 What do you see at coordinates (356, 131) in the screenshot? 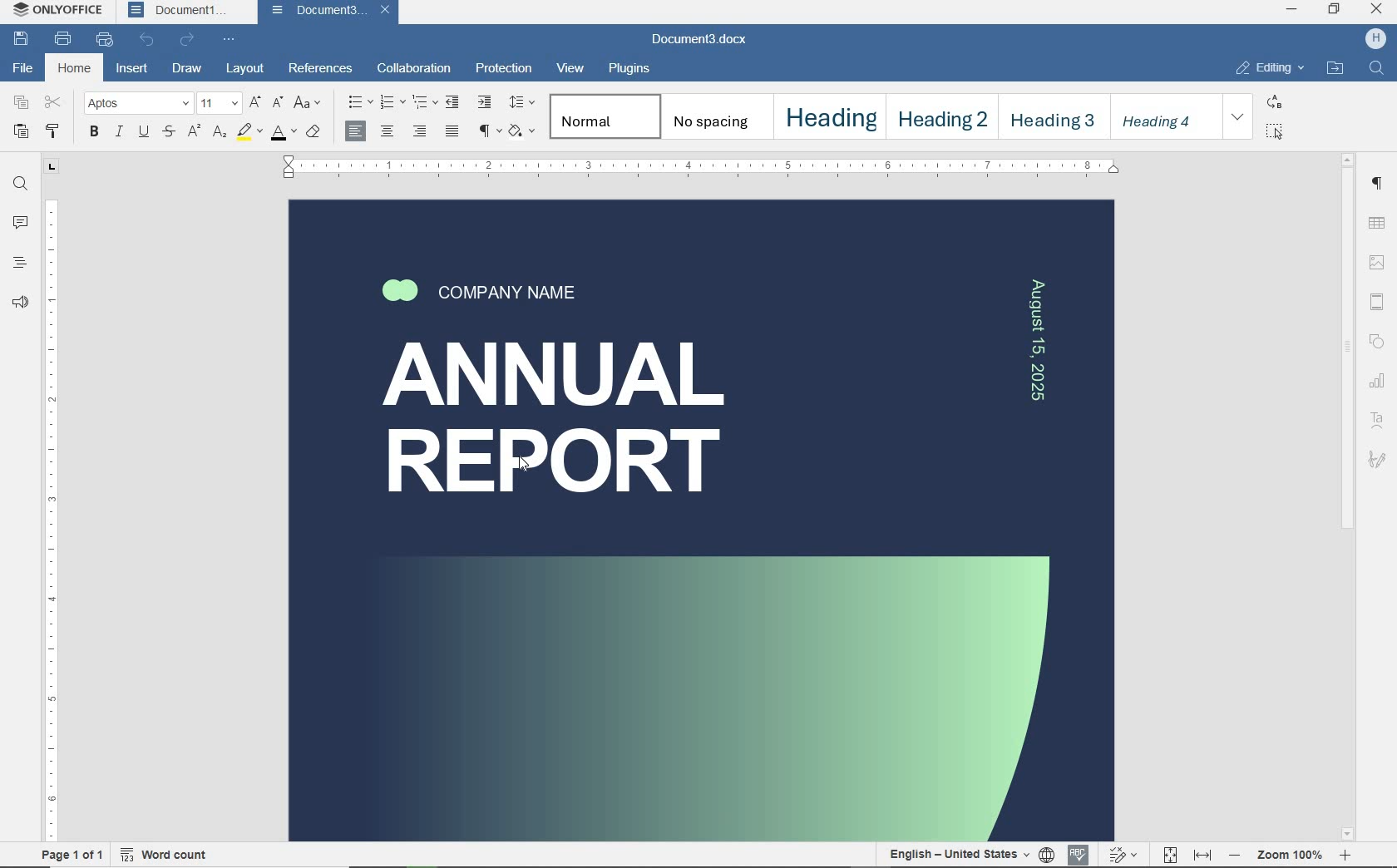
I see `align left` at bounding box center [356, 131].